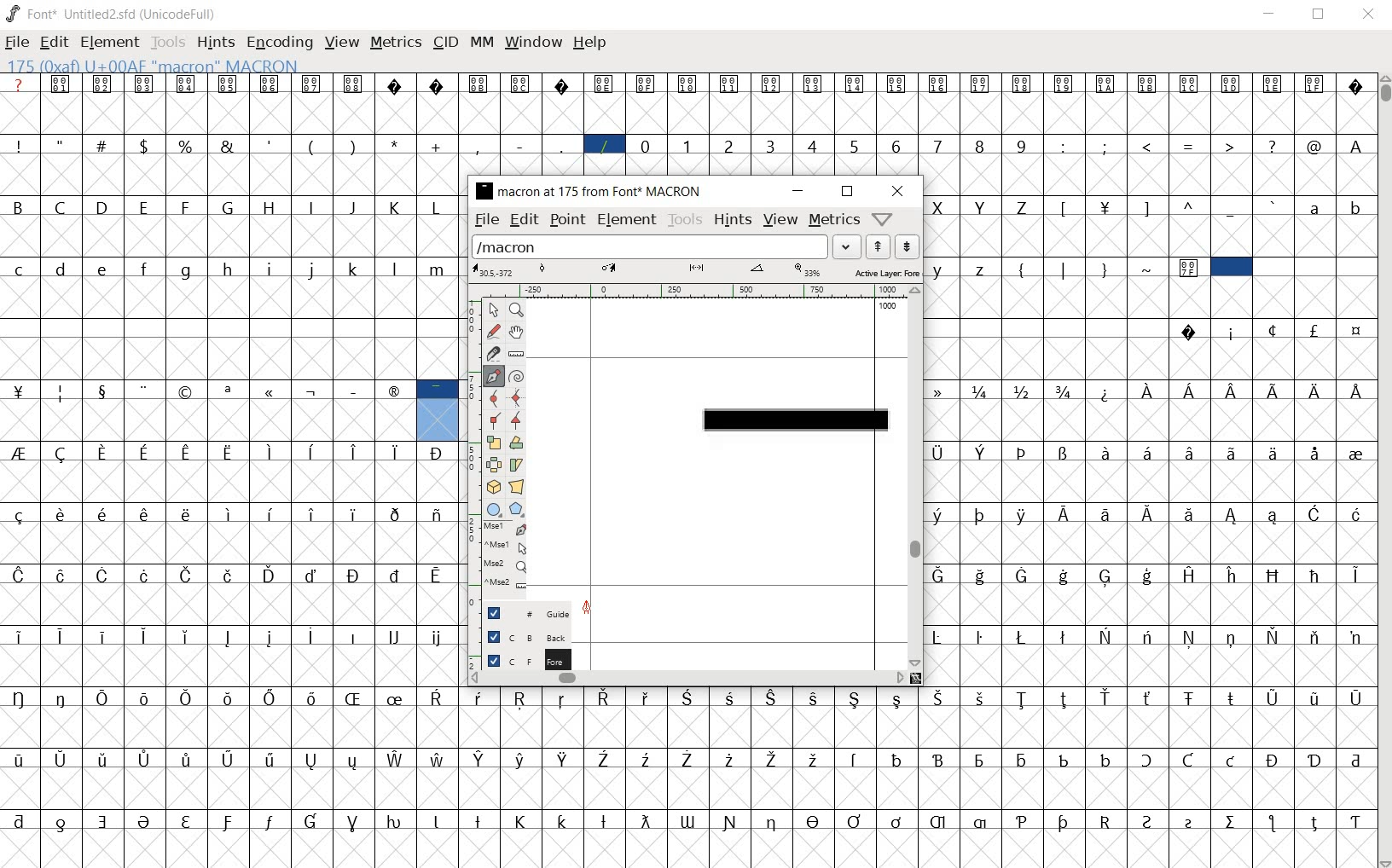 The width and height of the screenshot is (1392, 868). What do you see at coordinates (1231, 637) in the screenshot?
I see `Symbol` at bounding box center [1231, 637].